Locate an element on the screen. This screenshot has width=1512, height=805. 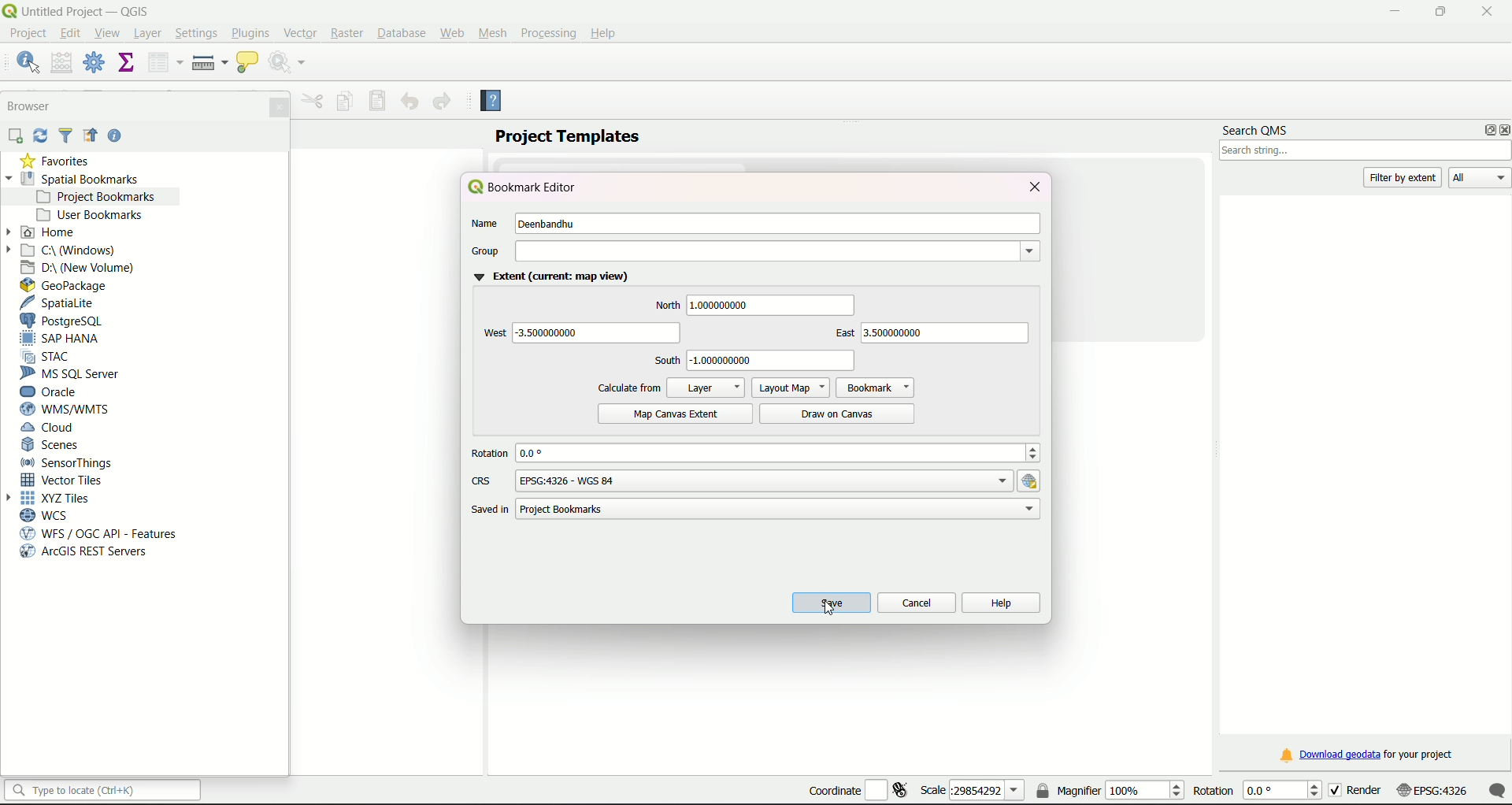
dropdown is located at coordinates (1028, 252).